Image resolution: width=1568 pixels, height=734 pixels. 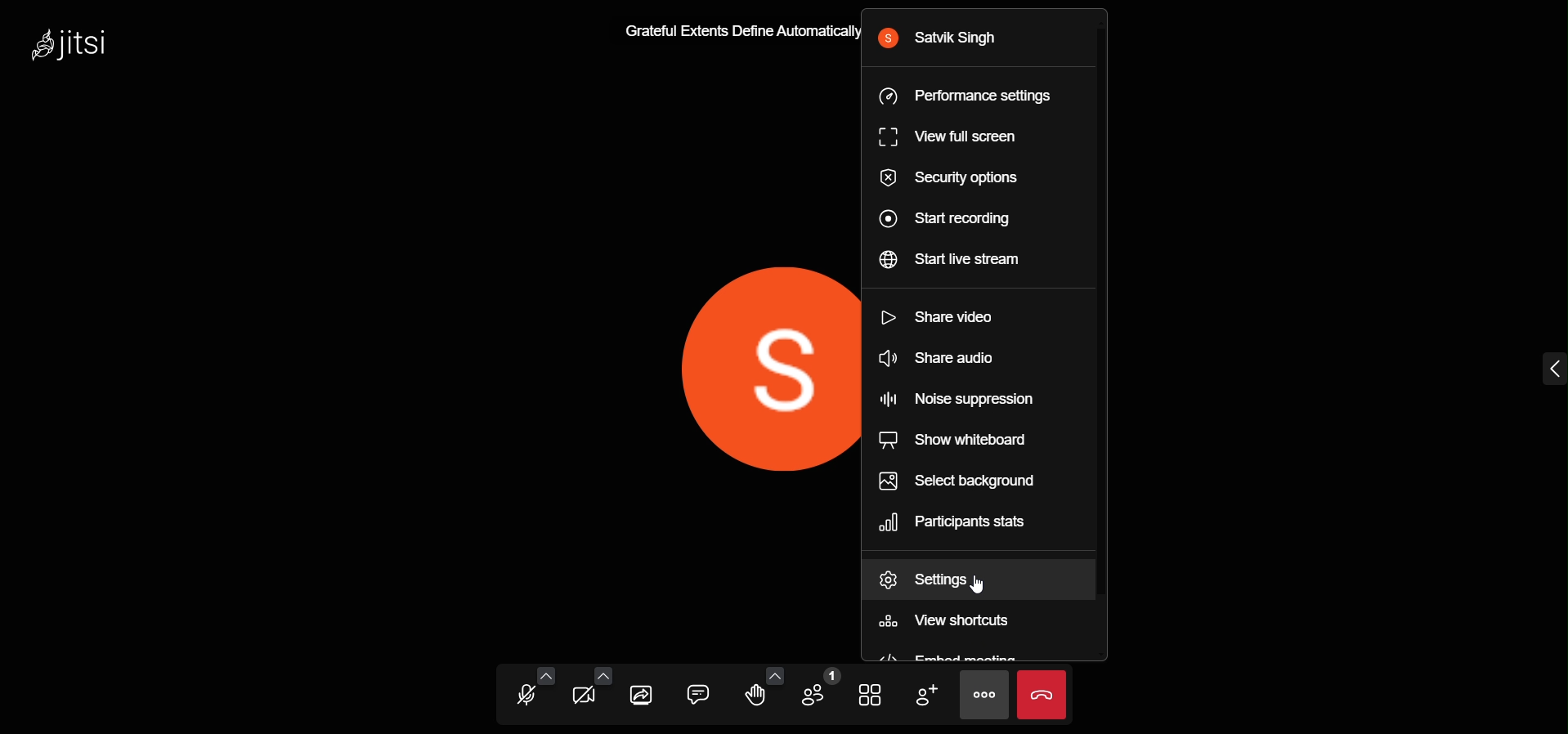 What do you see at coordinates (924, 692) in the screenshot?
I see `invite people` at bounding box center [924, 692].